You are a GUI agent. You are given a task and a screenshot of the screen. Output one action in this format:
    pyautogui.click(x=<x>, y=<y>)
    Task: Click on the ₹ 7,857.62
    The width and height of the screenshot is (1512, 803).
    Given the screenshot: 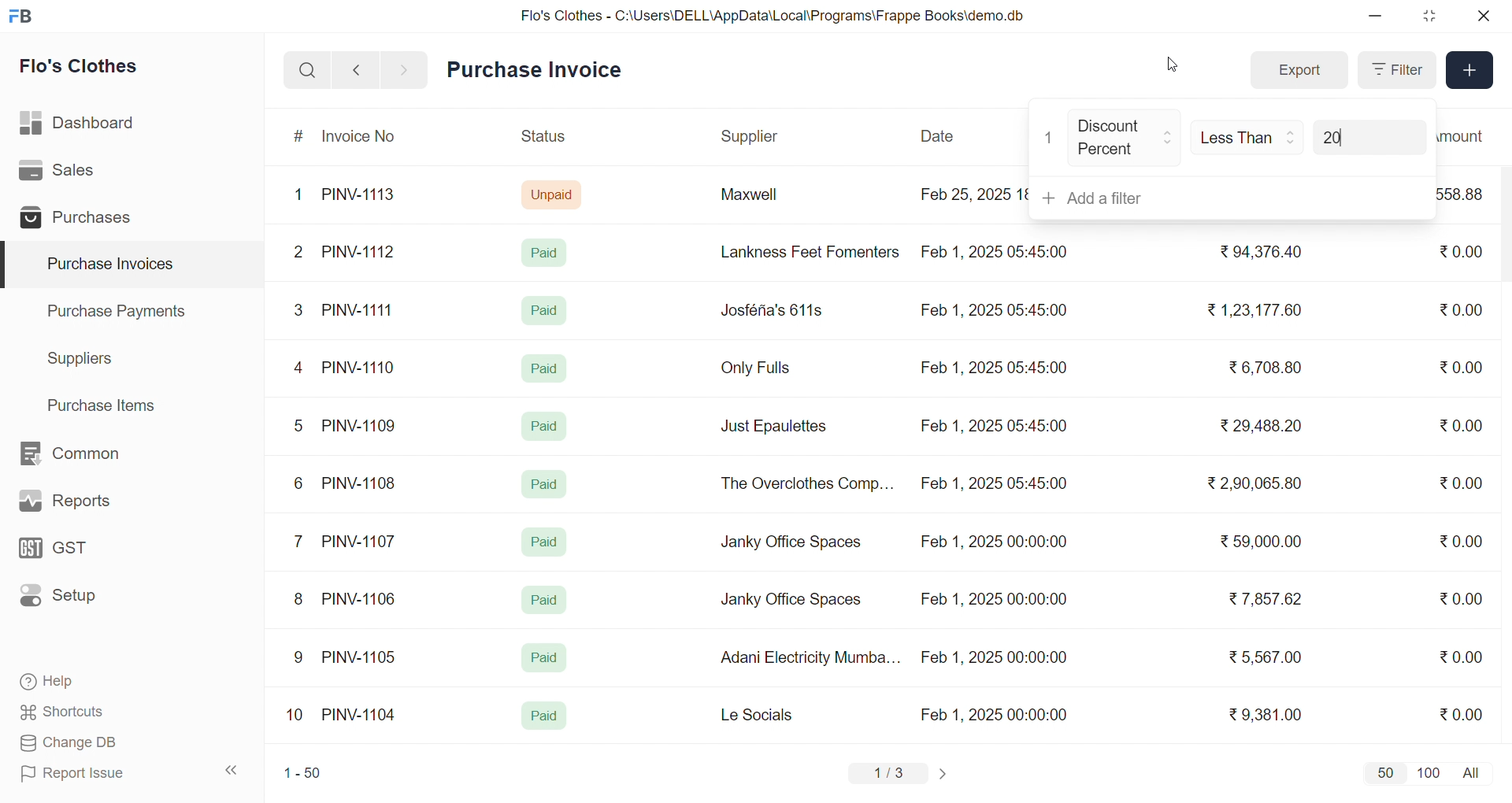 What is the action you would take?
    pyautogui.click(x=1267, y=599)
    